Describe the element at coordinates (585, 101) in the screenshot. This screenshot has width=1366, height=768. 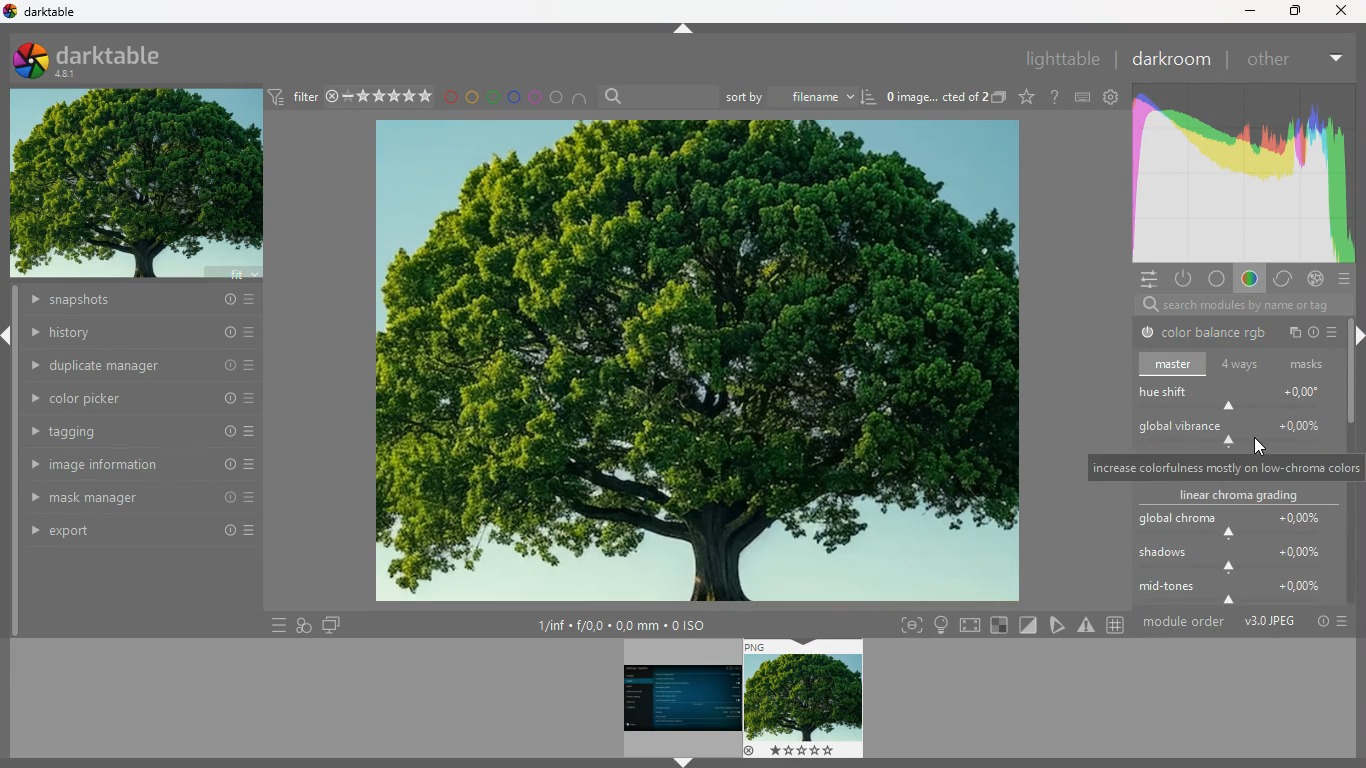
I see `semi circle` at that location.